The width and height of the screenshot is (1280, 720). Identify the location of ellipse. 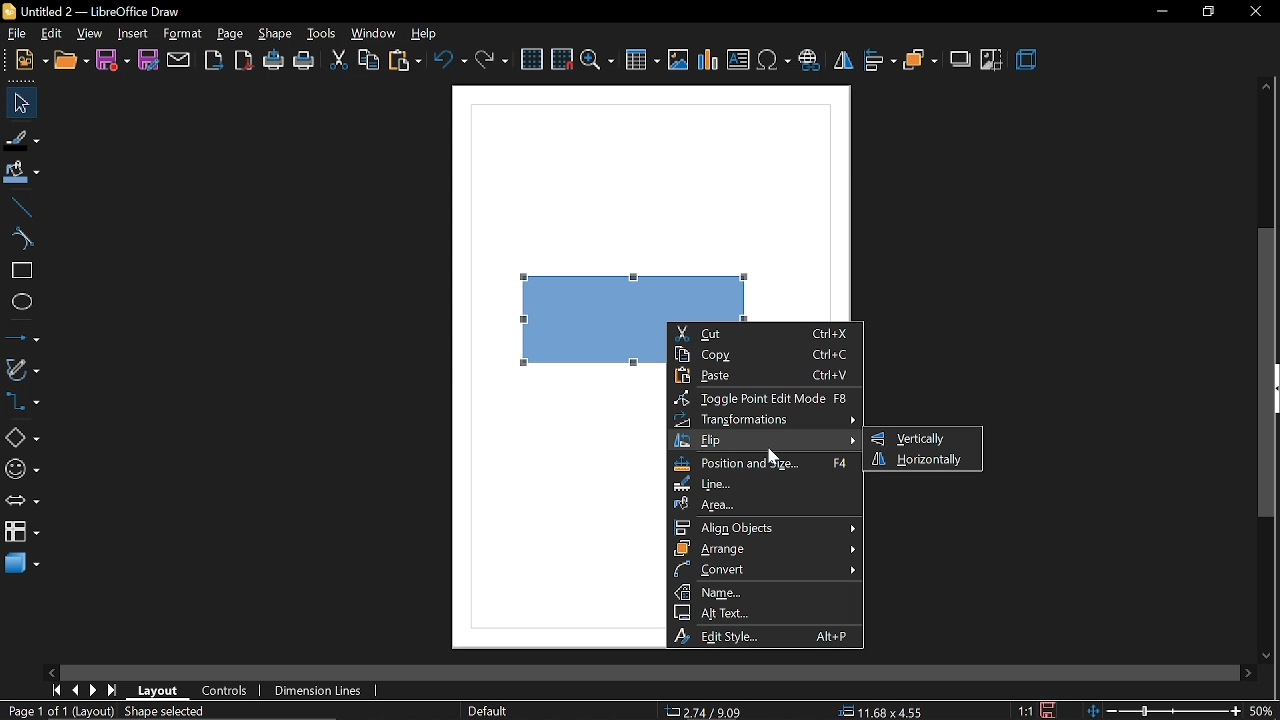
(21, 304).